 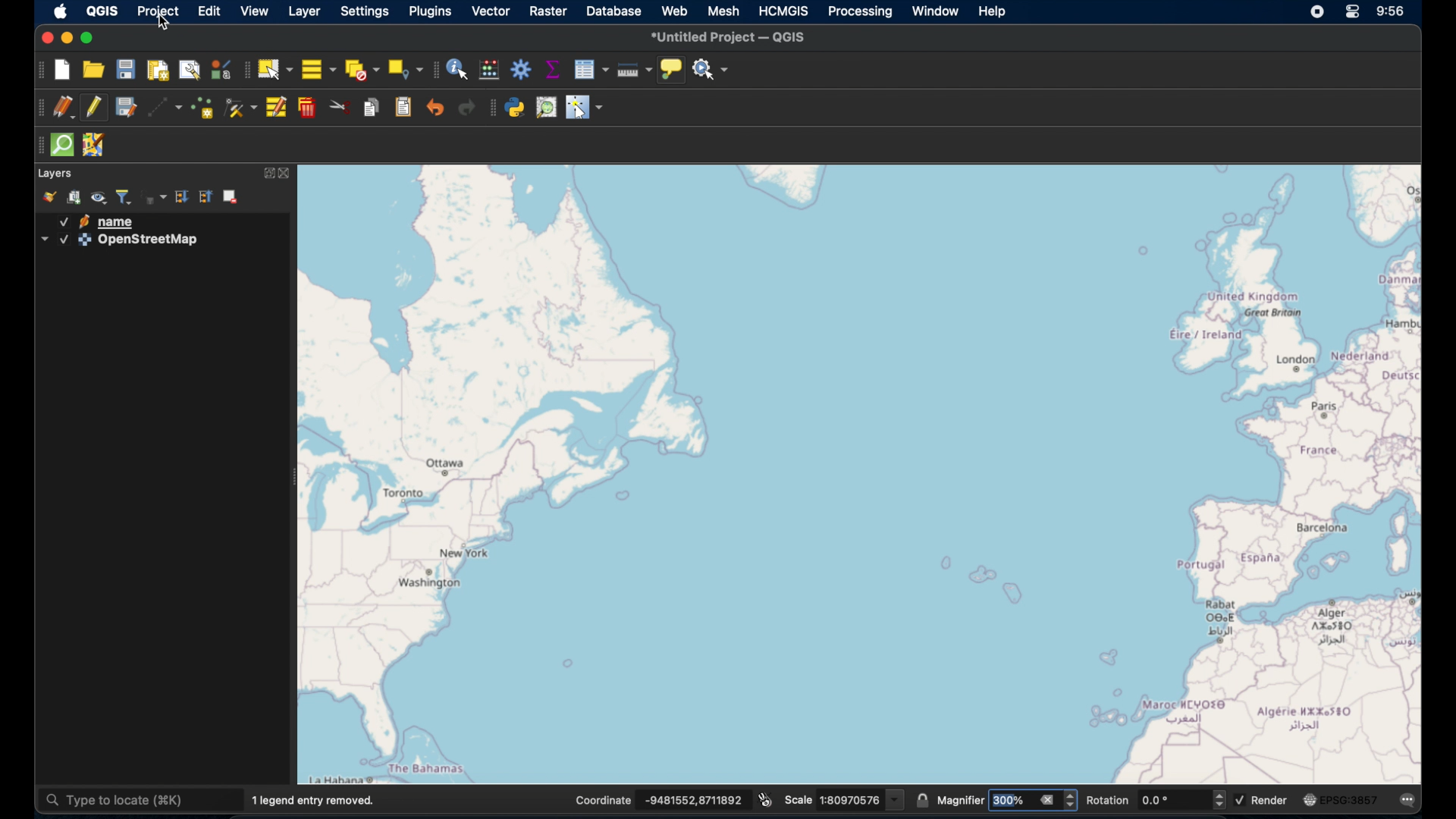 I want to click on no action selected, so click(x=711, y=71).